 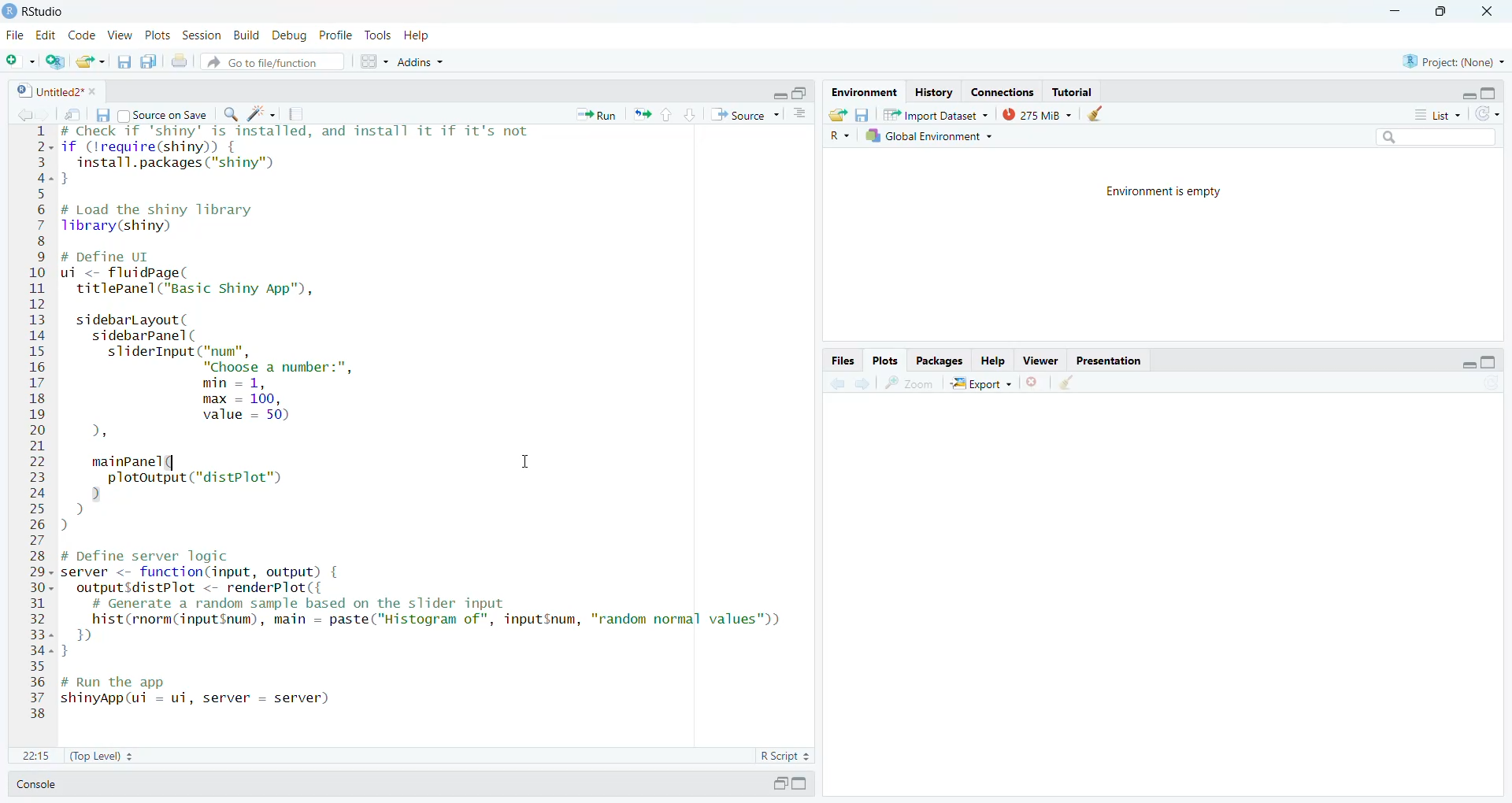 I want to click on Plots, so click(x=884, y=361).